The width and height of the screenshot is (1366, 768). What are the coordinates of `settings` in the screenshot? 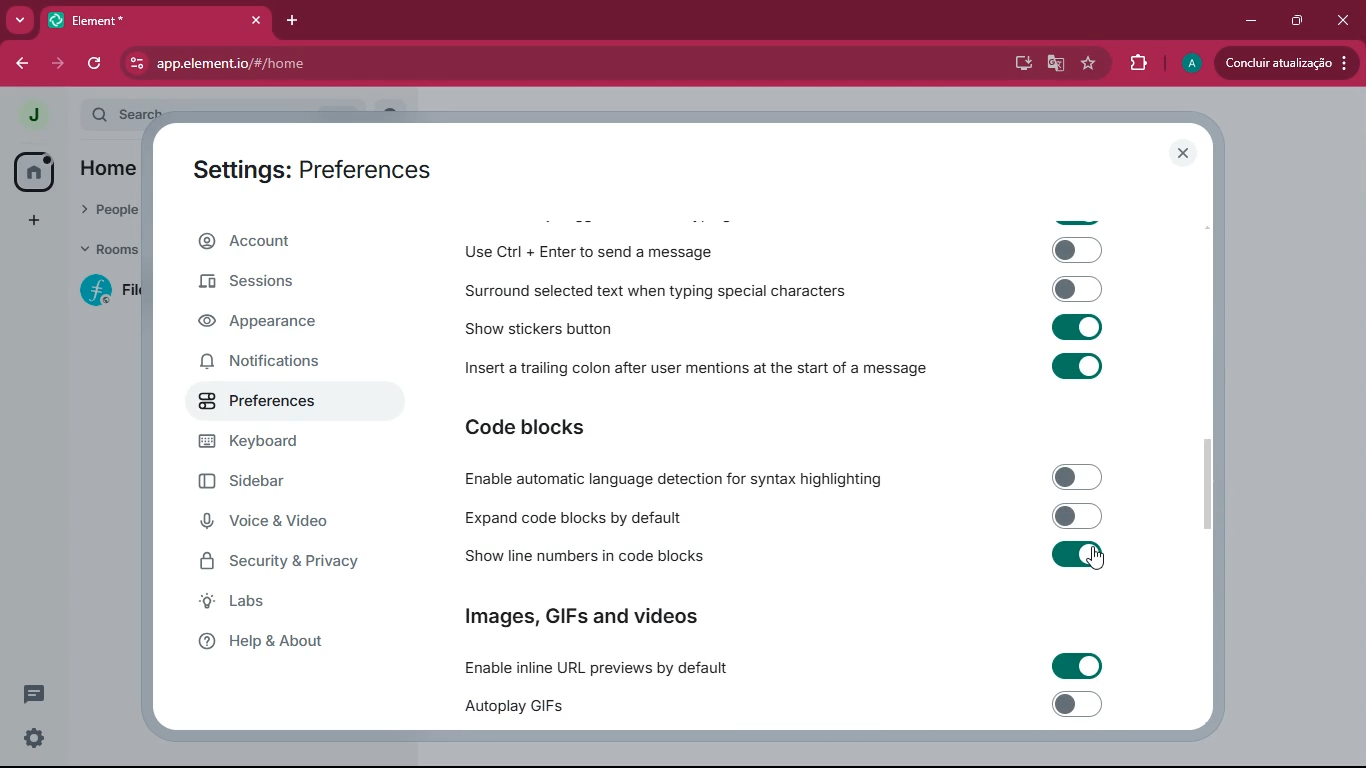 It's located at (34, 738).